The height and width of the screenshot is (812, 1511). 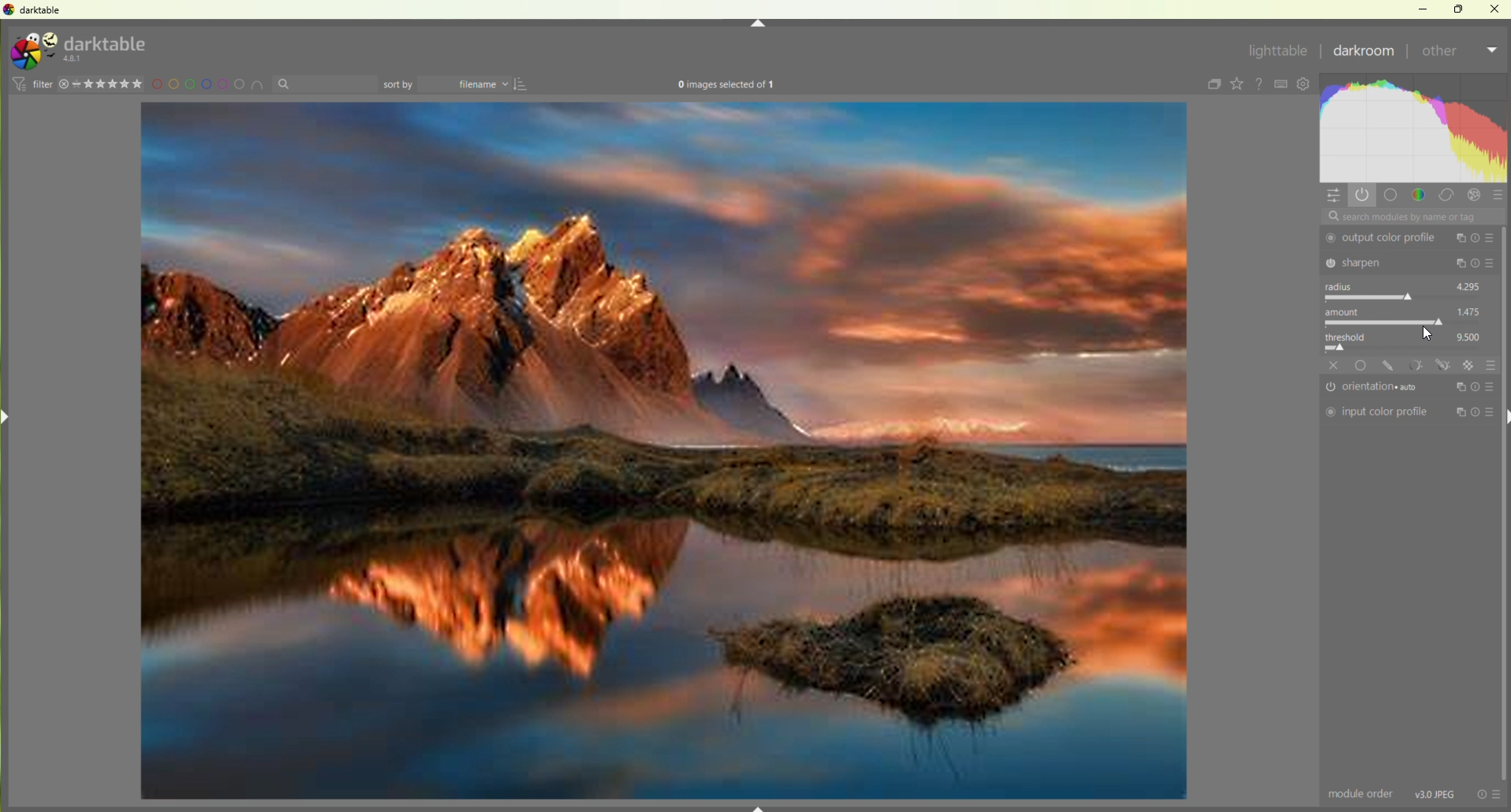 What do you see at coordinates (1469, 285) in the screenshot?
I see `value` at bounding box center [1469, 285].